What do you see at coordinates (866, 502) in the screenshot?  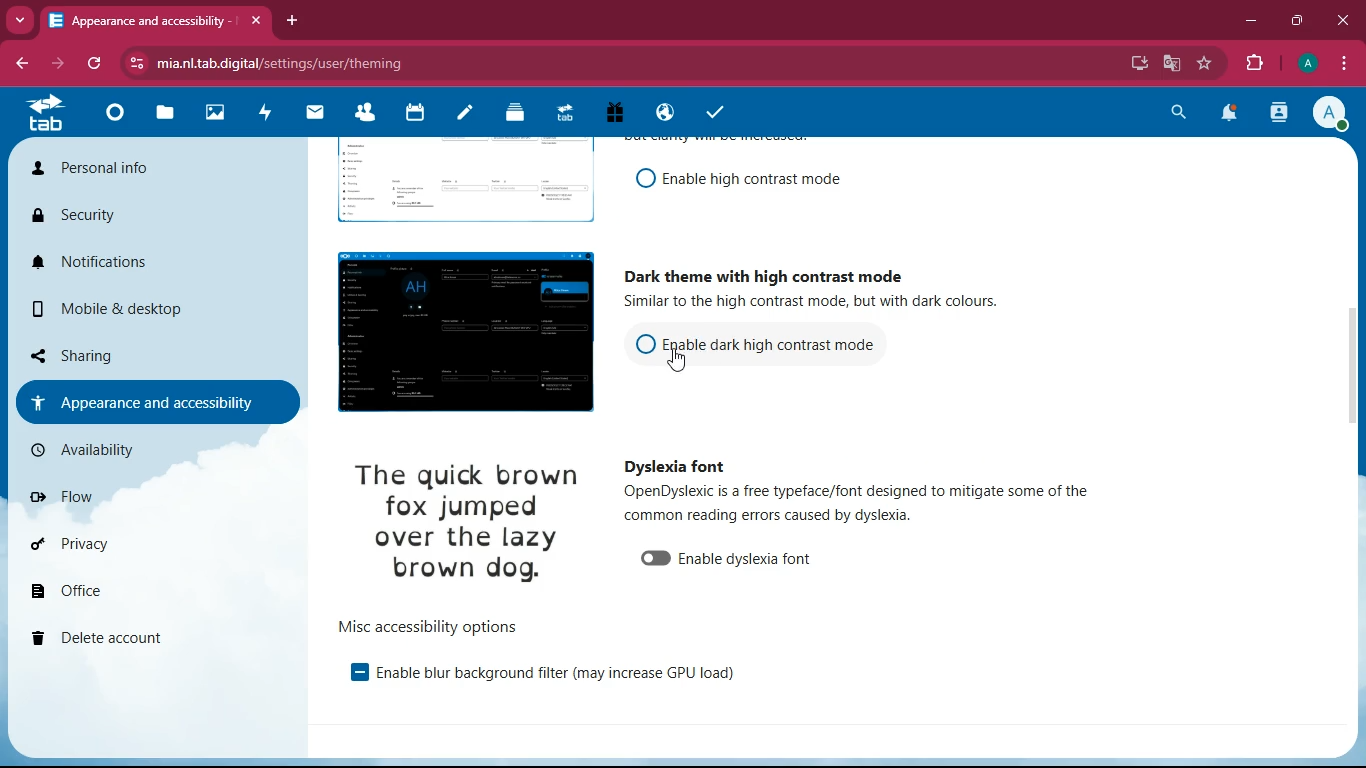 I see `description` at bounding box center [866, 502].